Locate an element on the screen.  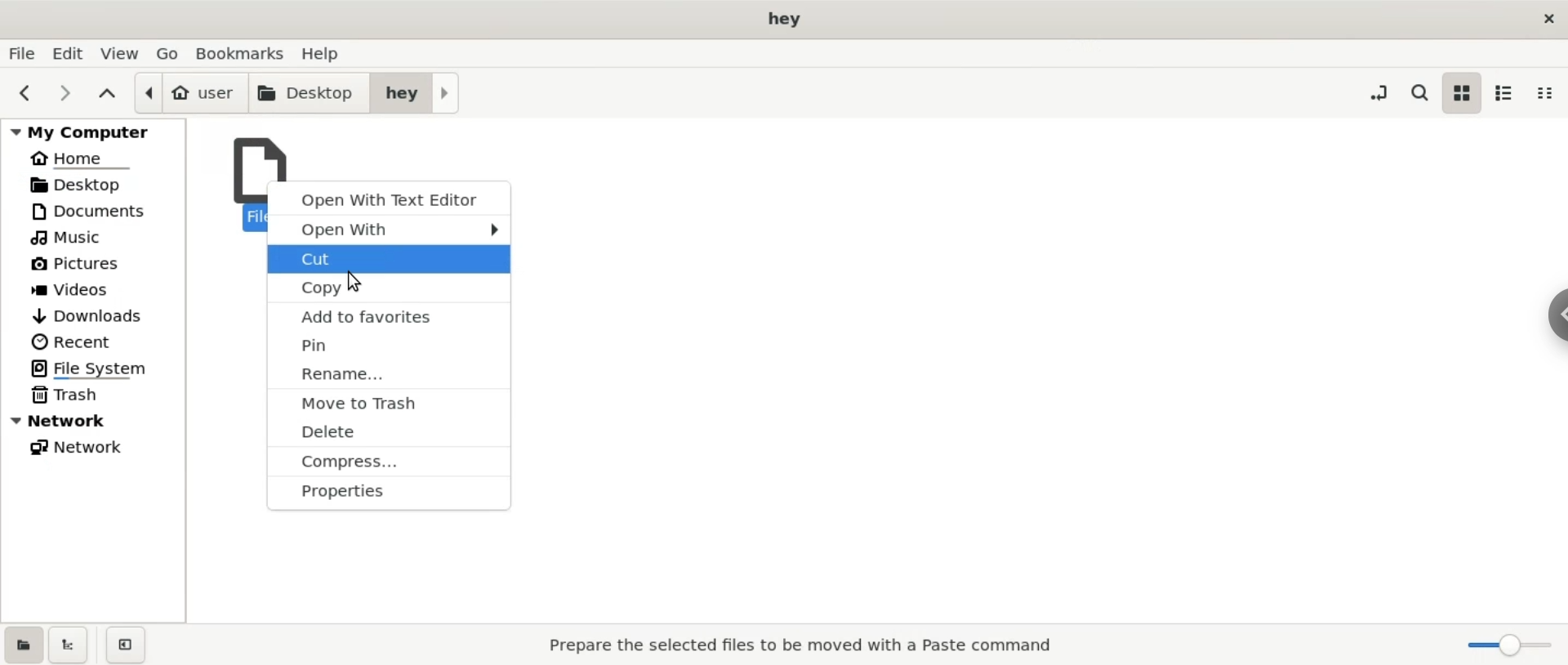
my computer is located at coordinates (89, 132).